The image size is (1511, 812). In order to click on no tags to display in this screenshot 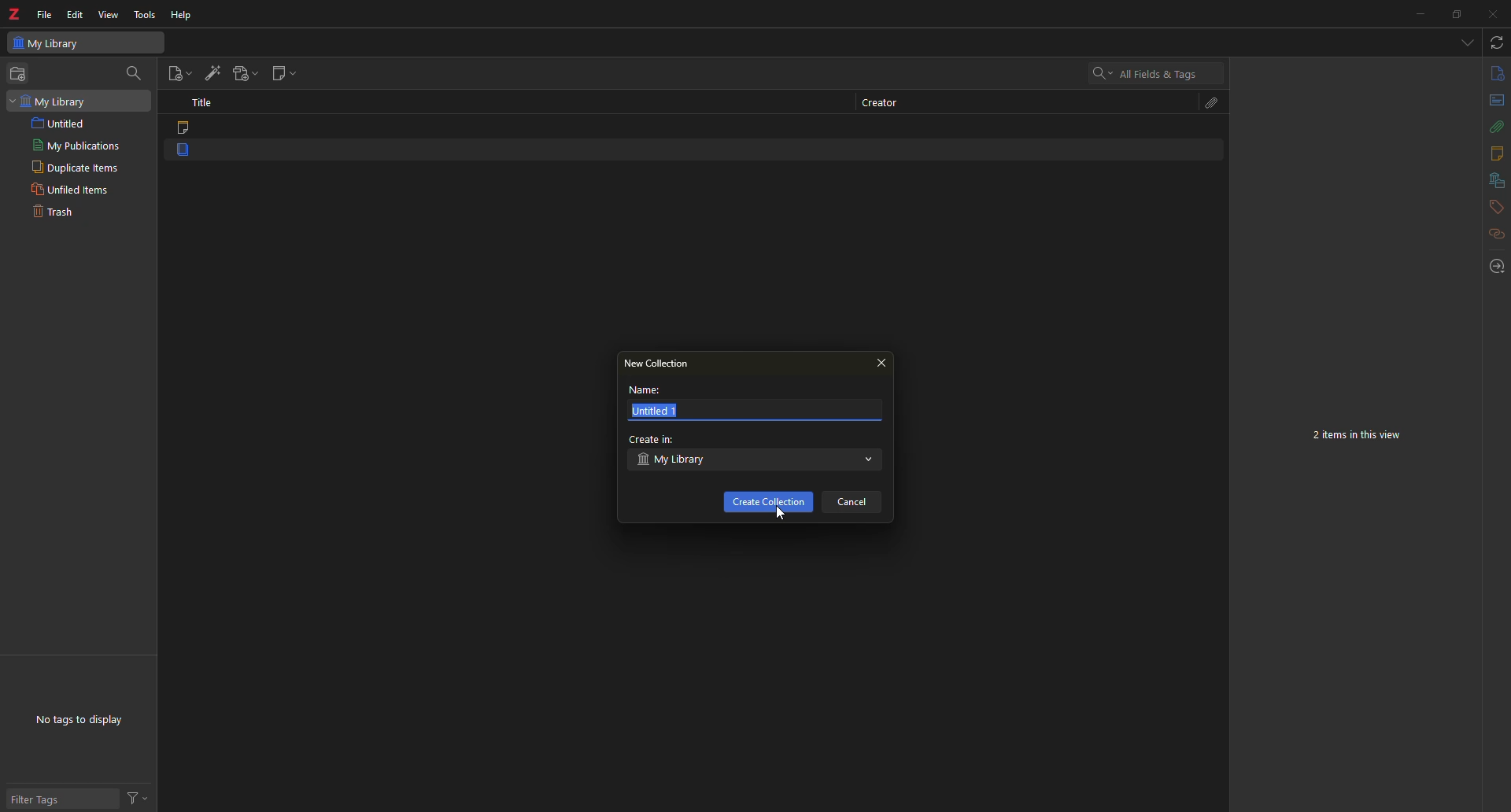, I will do `click(86, 718)`.